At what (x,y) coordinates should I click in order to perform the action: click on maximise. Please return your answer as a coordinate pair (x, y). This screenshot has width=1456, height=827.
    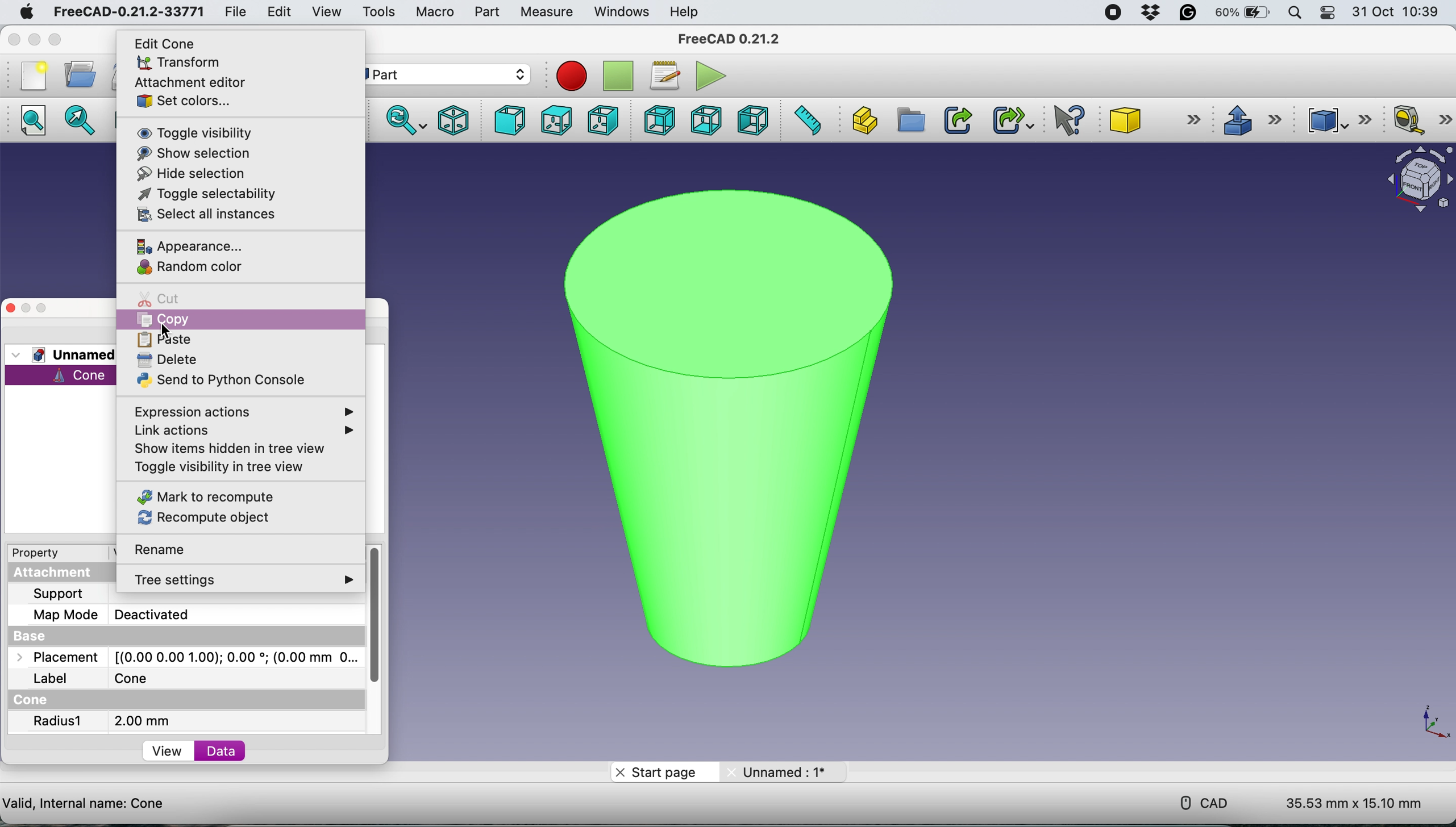
    Looking at the image, I should click on (43, 308).